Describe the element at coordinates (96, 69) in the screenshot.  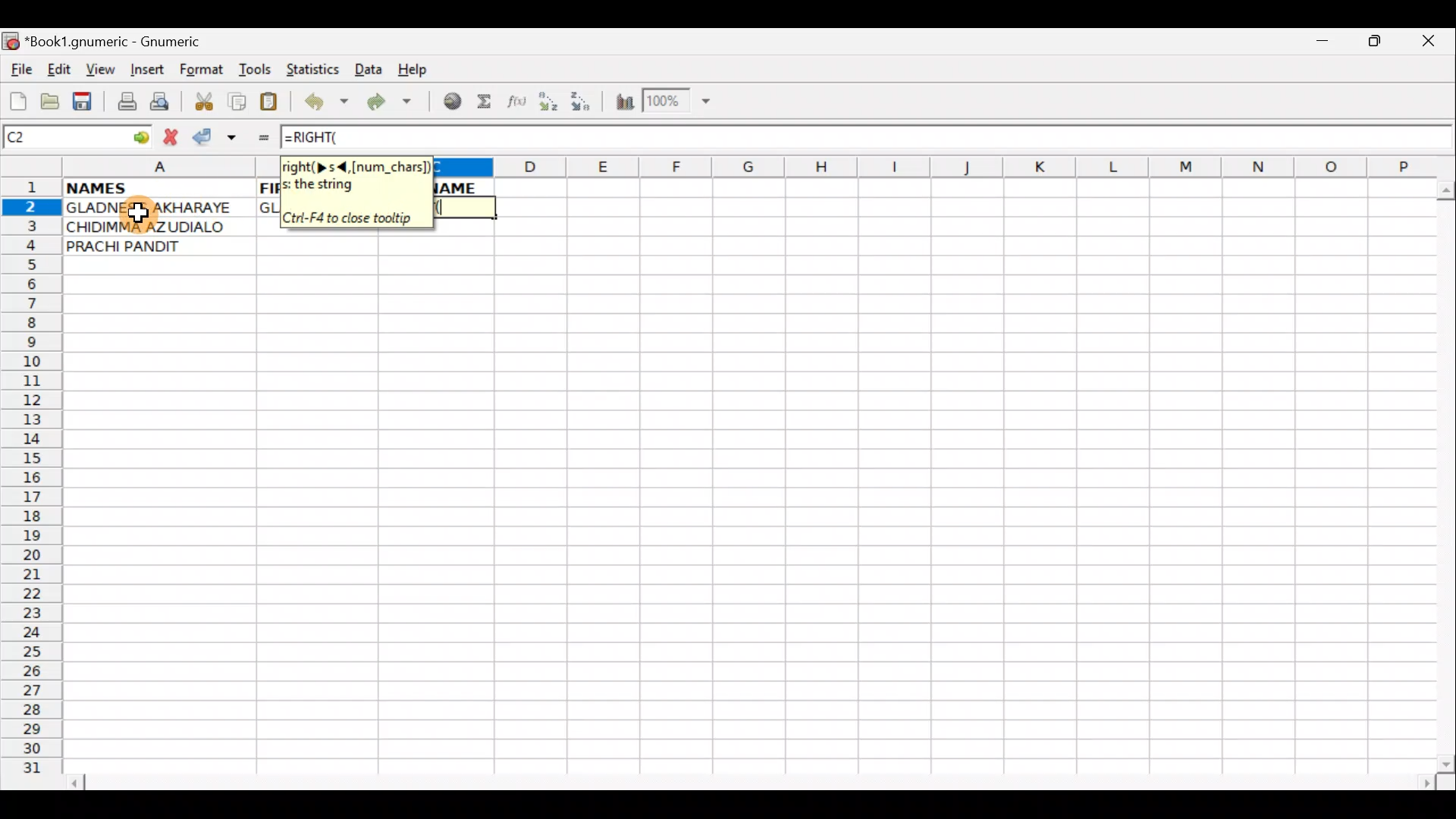
I see `View` at that location.